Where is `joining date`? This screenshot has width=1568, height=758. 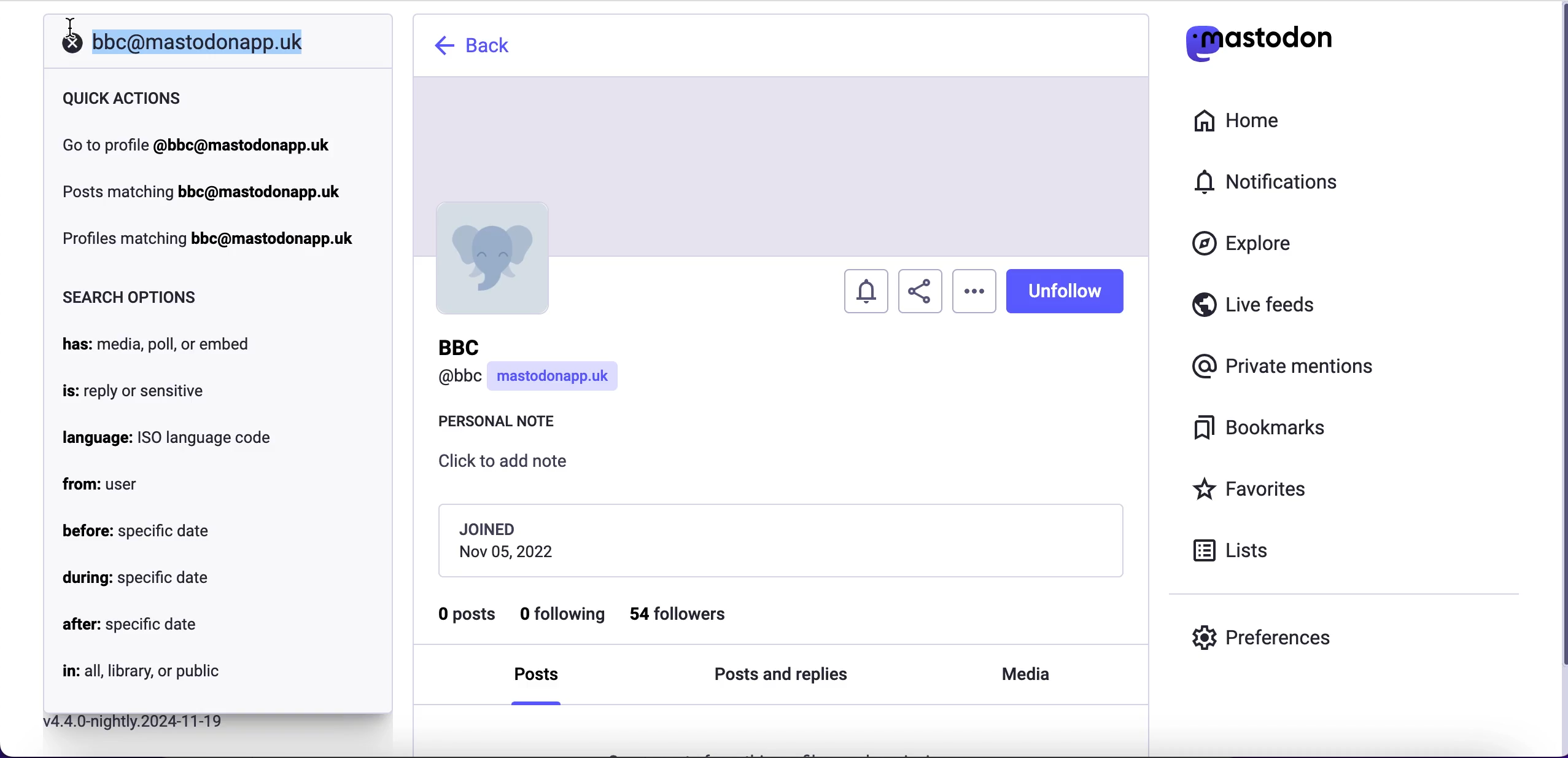
joining date is located at coordinates (779, 539).